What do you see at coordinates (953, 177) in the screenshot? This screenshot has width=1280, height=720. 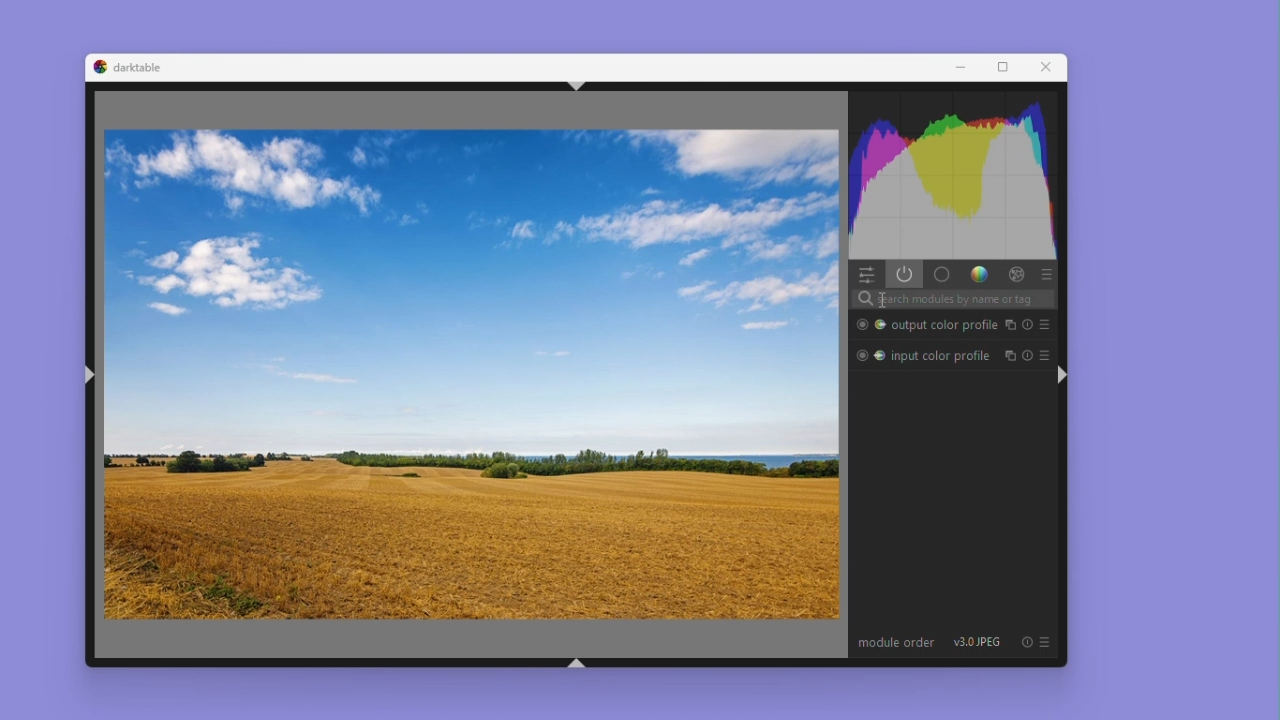 I see `Histogram` at bounding box center [953, 177].